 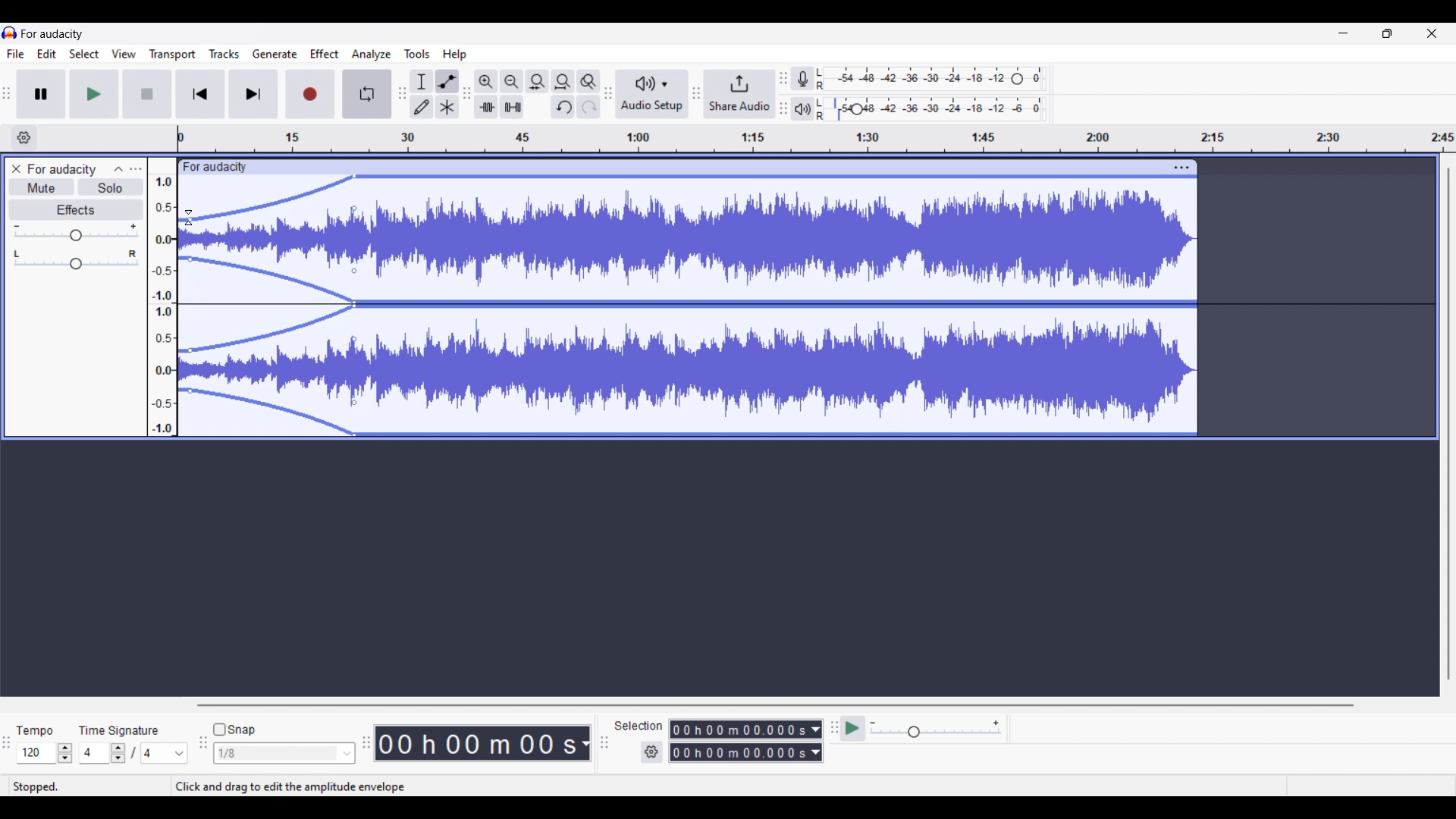 I want to click on Tracks, so click(x=224, y=54).